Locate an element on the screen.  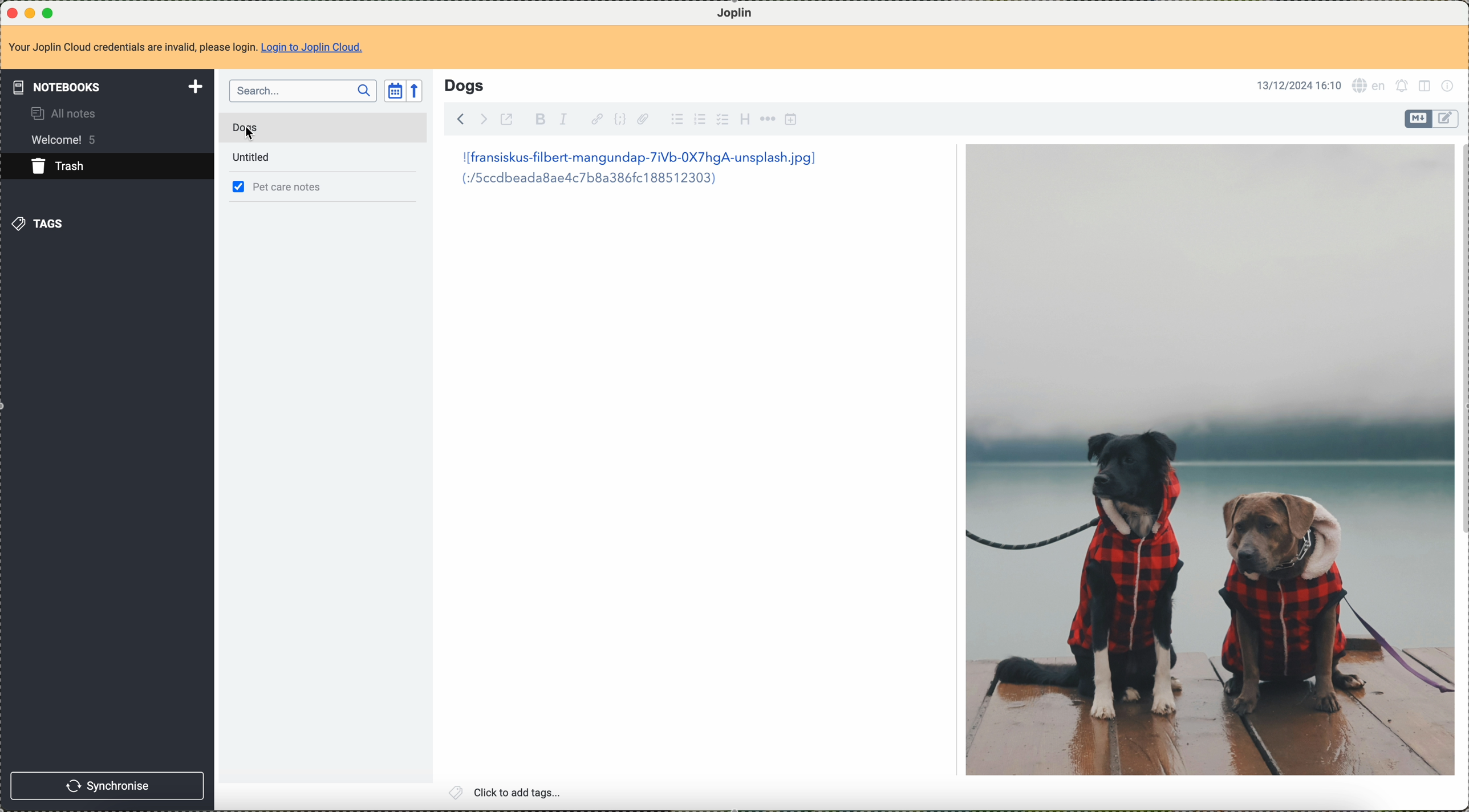
pet care notes is located at coordinates (290, 187).